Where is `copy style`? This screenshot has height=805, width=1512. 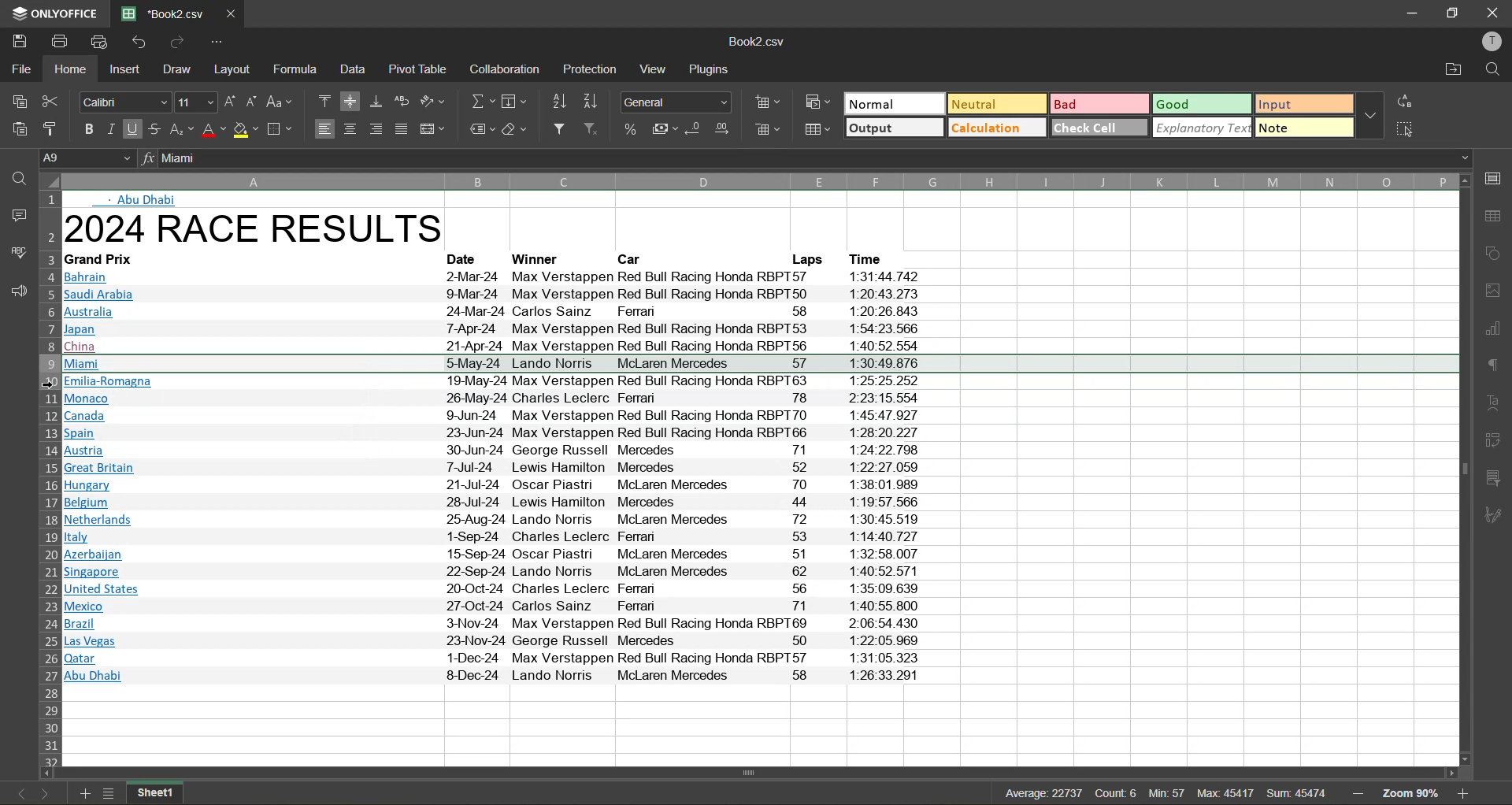
copy style is located at coordinates (51, 125).